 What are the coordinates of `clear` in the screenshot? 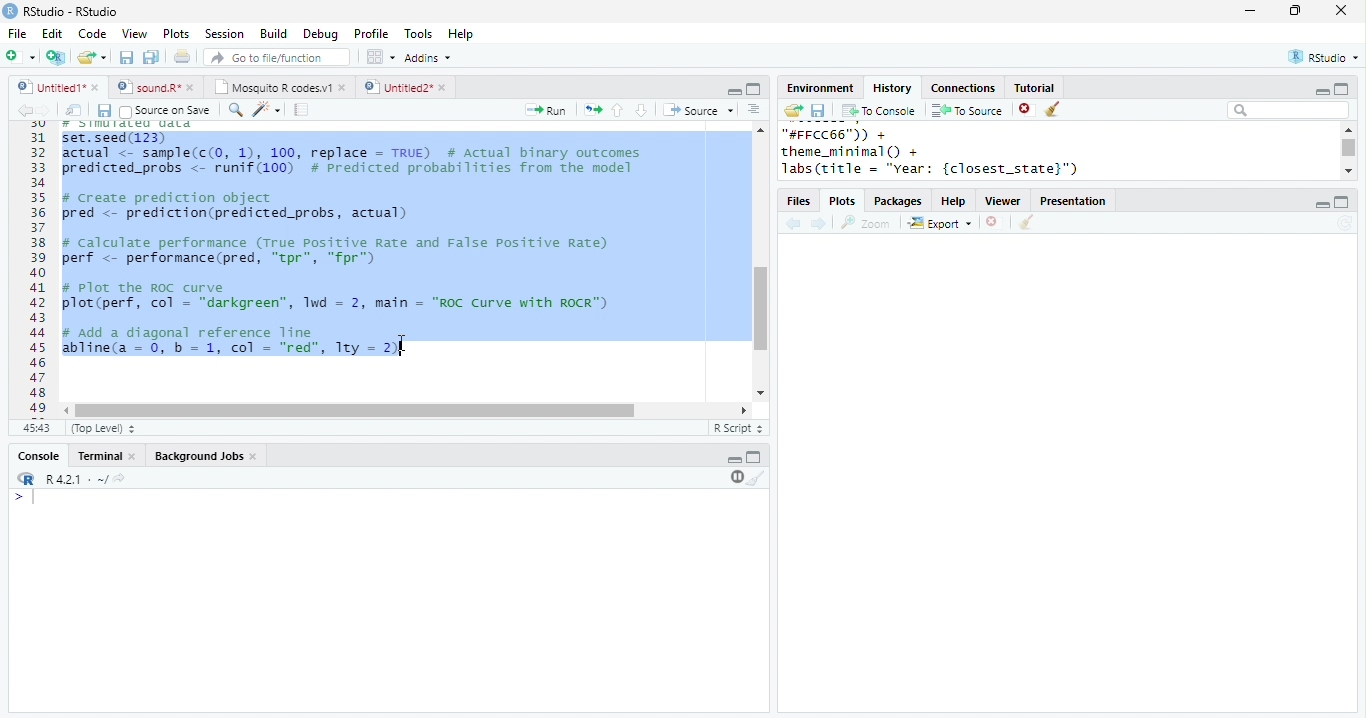 It's located at (1054, 110).